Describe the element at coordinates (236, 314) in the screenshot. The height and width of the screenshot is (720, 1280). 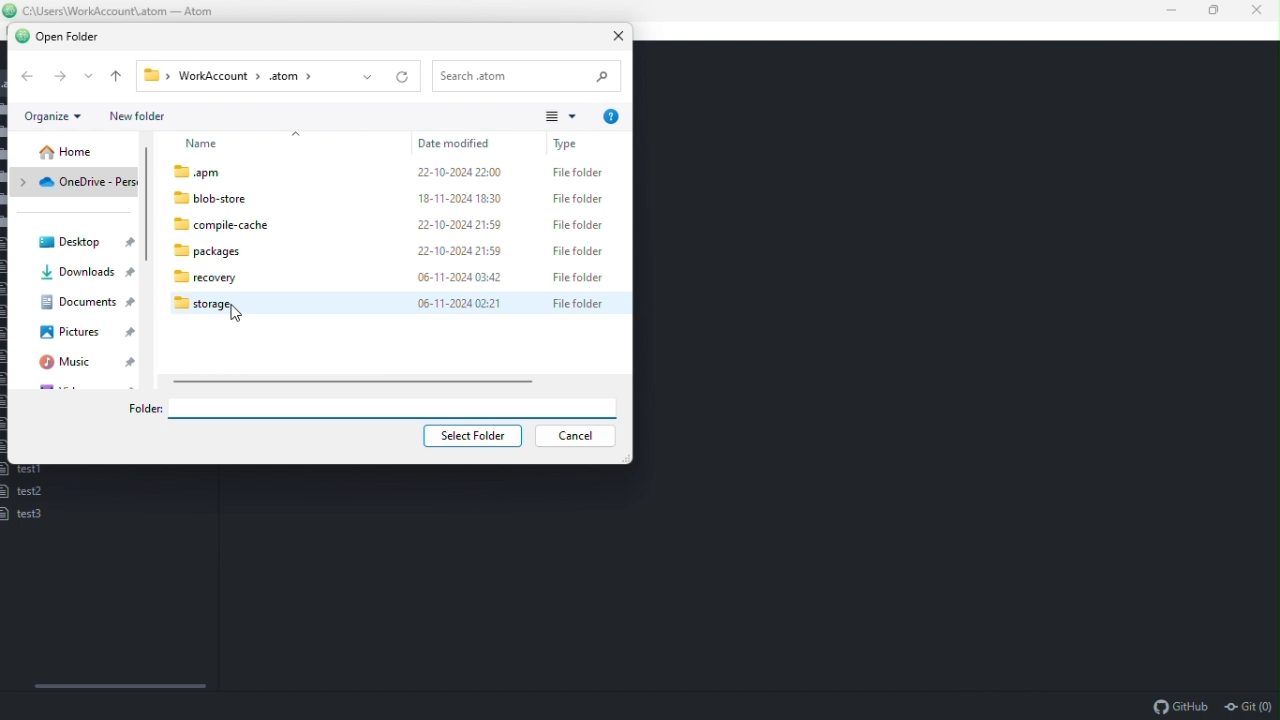
I see `Cursor` at that location.